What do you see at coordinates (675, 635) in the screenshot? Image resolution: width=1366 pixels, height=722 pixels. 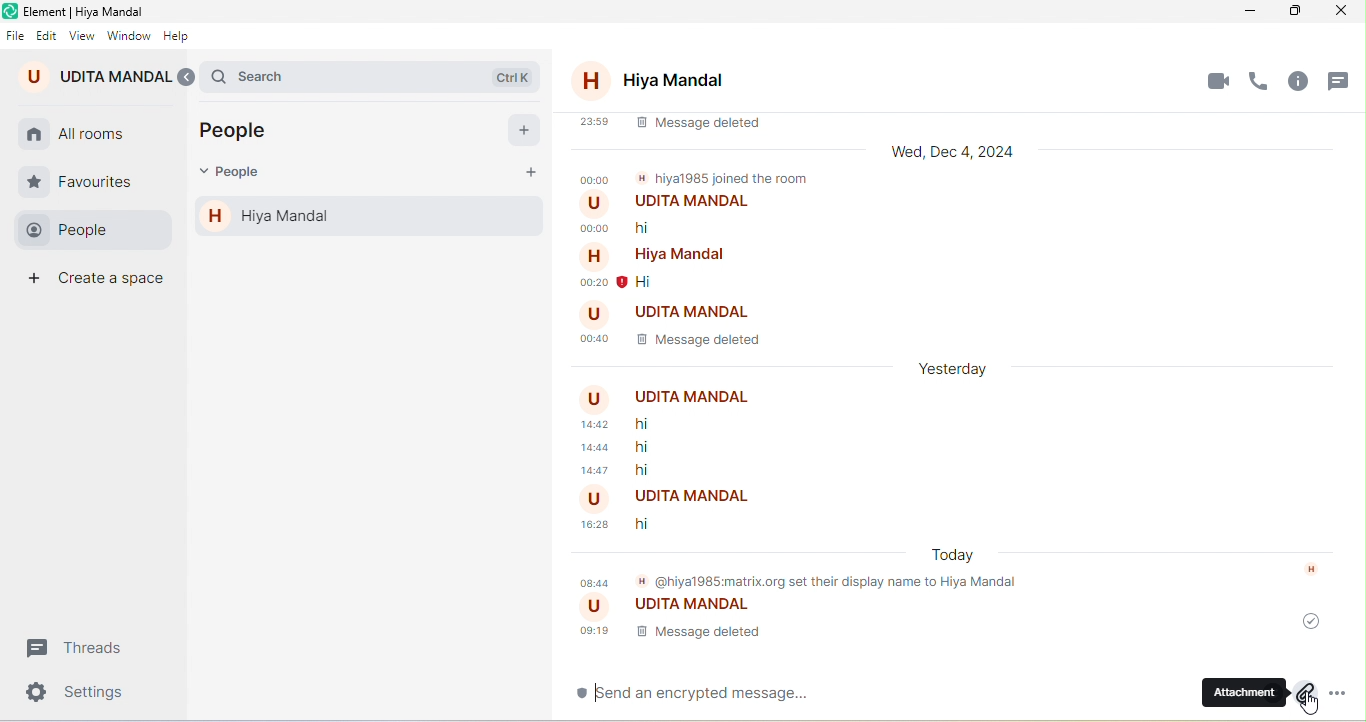 I see `message delete` at bounding box center [675, 635].